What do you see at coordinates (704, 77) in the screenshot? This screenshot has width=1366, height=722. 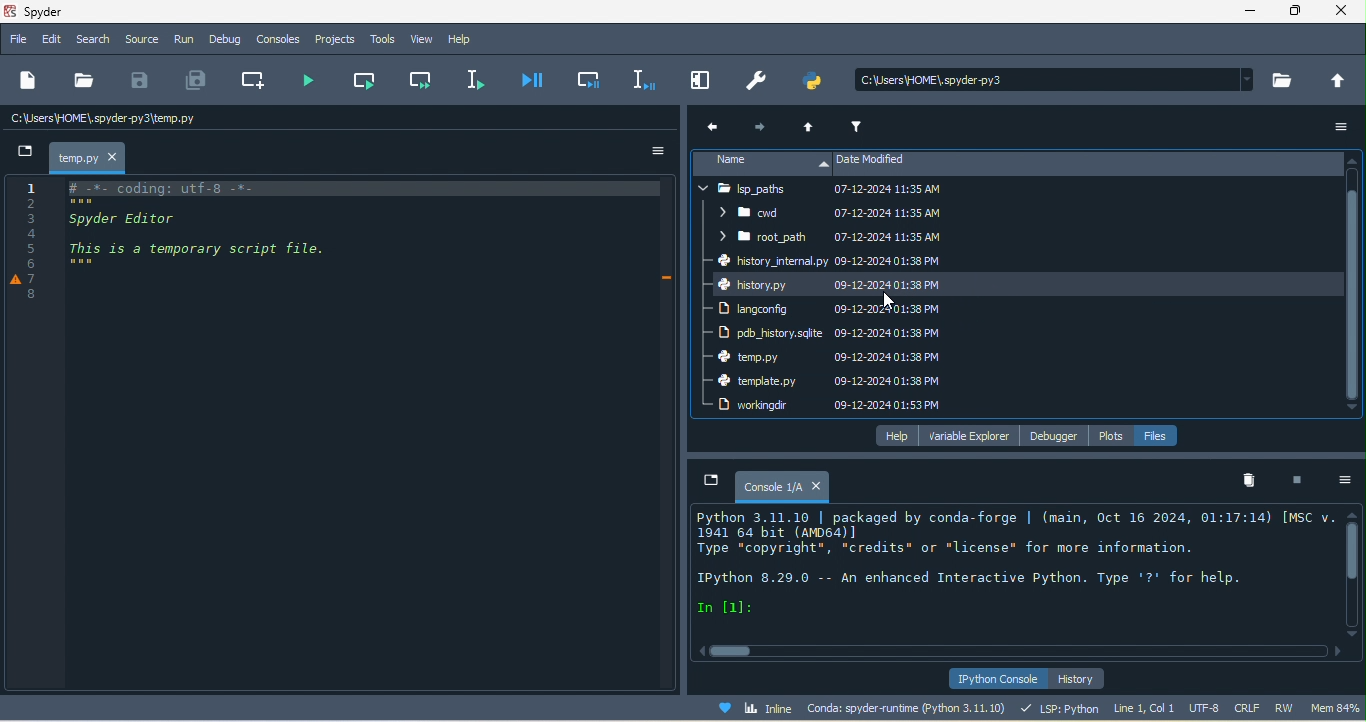 I see `maximize current pane` at bounding box center [704, 77].